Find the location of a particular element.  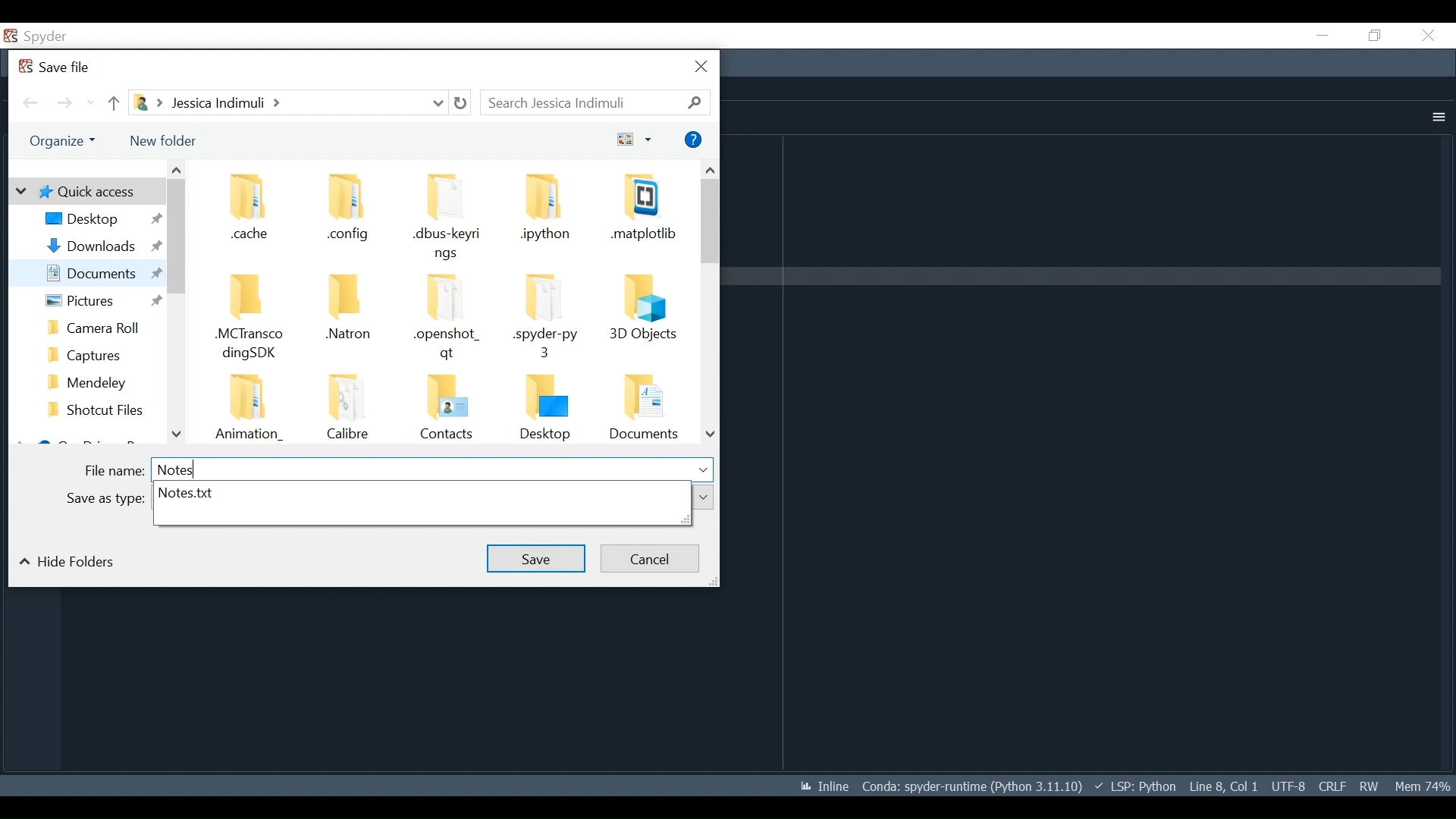

Documents is located at coordinates (97, 272).